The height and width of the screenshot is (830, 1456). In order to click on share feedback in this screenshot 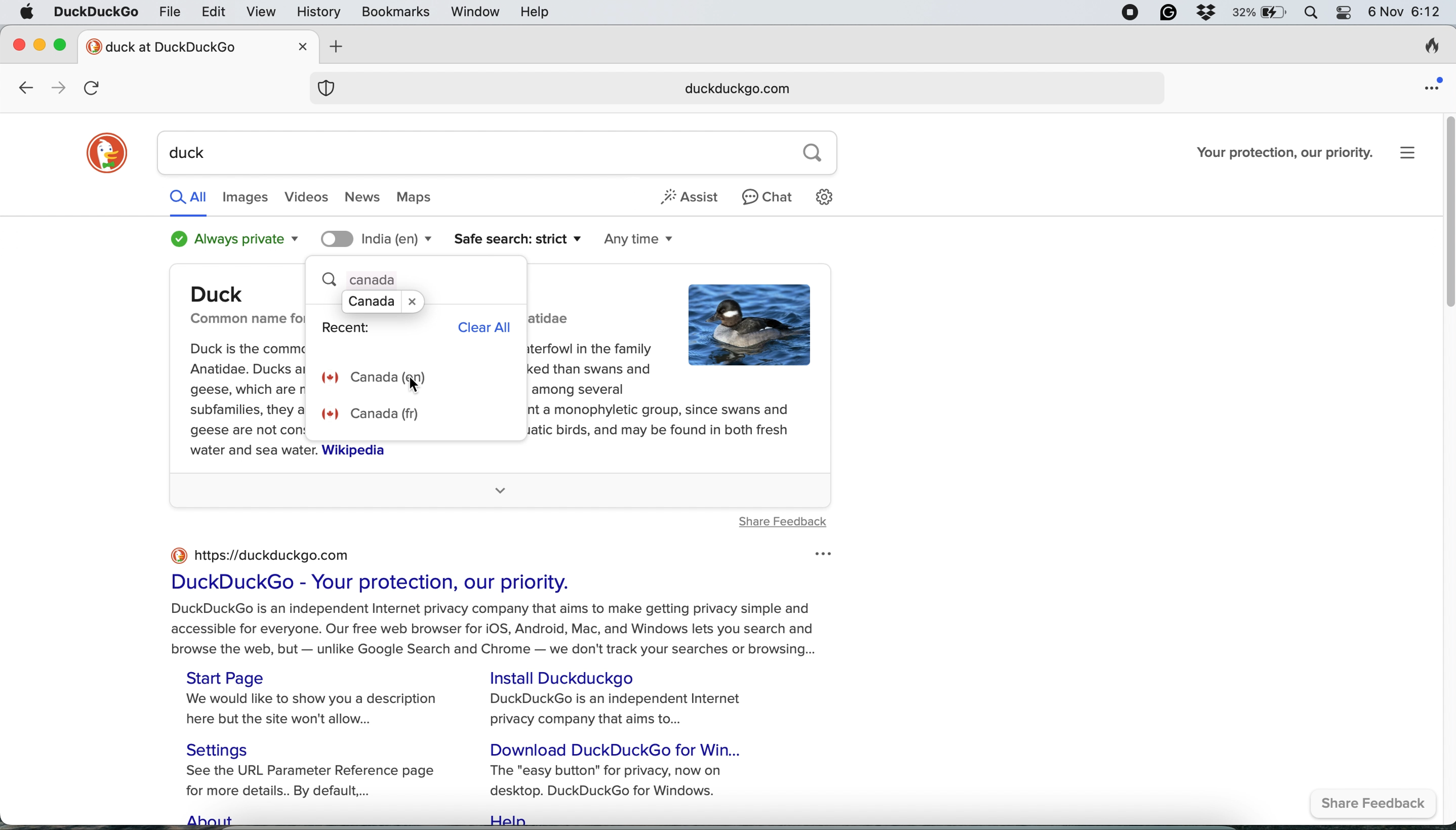, I will do `click(783, 521)`.